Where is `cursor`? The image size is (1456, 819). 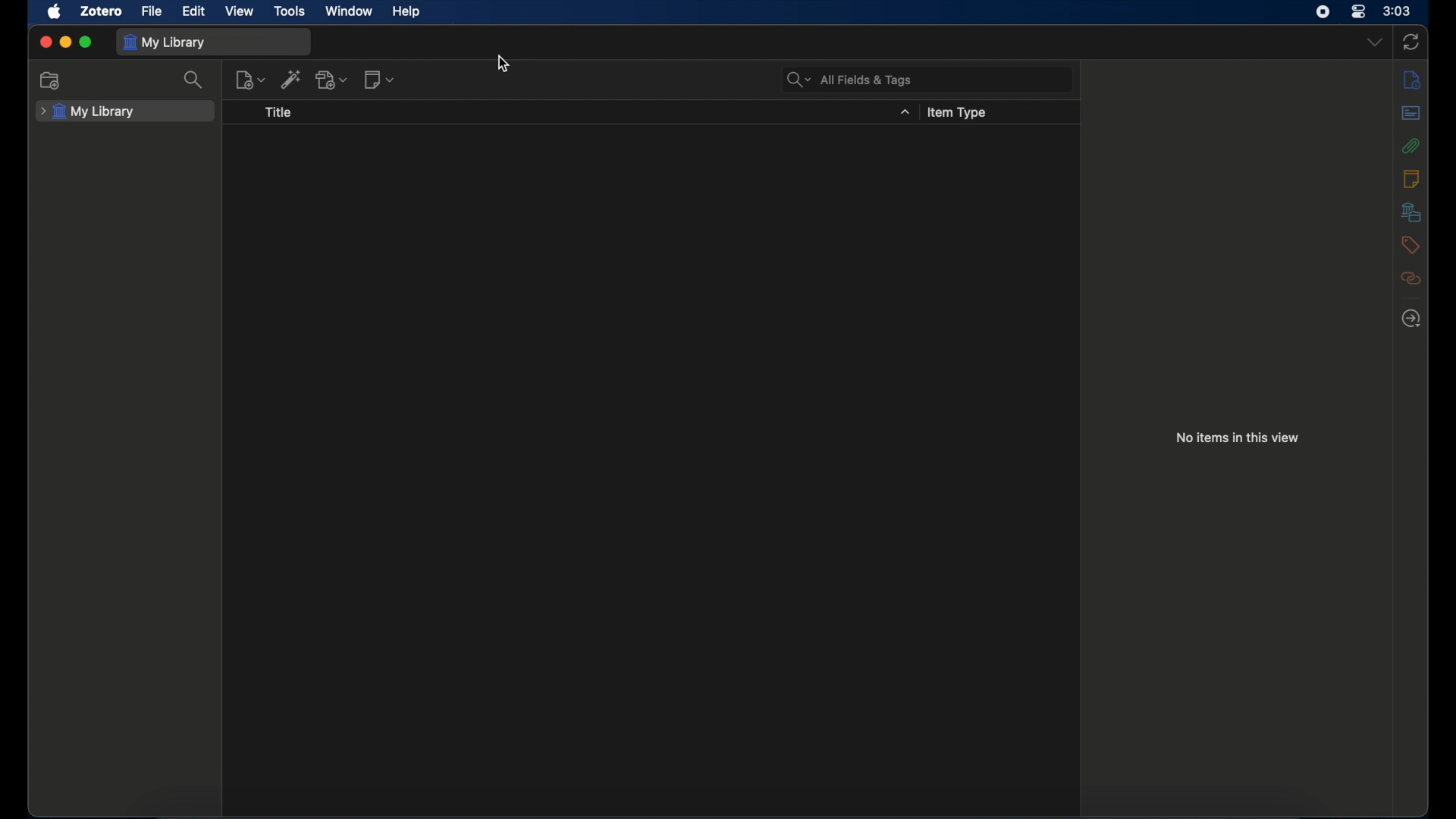 cursor is located at coordinates (504, 64).